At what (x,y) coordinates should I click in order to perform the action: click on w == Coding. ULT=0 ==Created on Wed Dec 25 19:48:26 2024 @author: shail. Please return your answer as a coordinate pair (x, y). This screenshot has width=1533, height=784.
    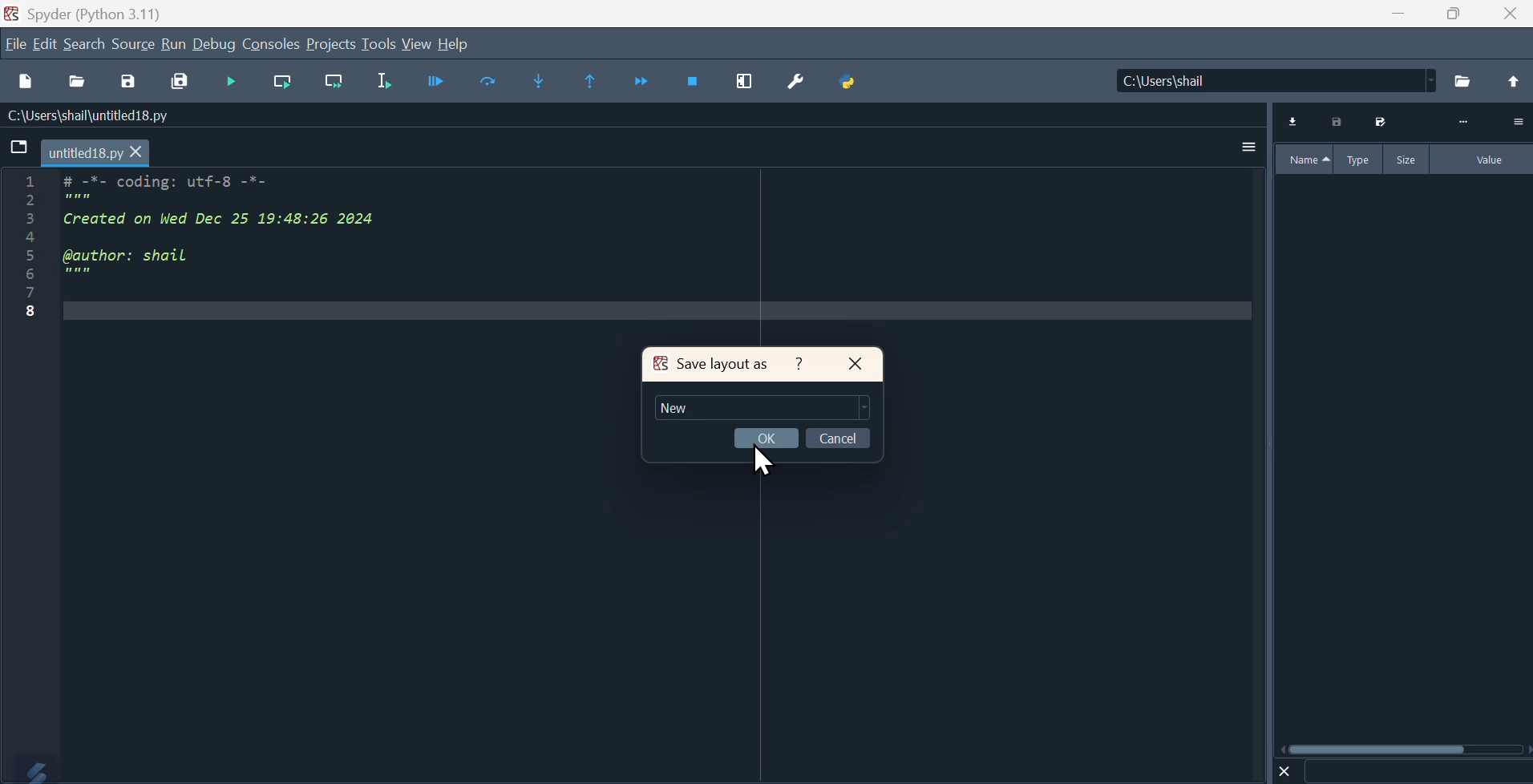
    Looking at the image, I should click on (200, 260).